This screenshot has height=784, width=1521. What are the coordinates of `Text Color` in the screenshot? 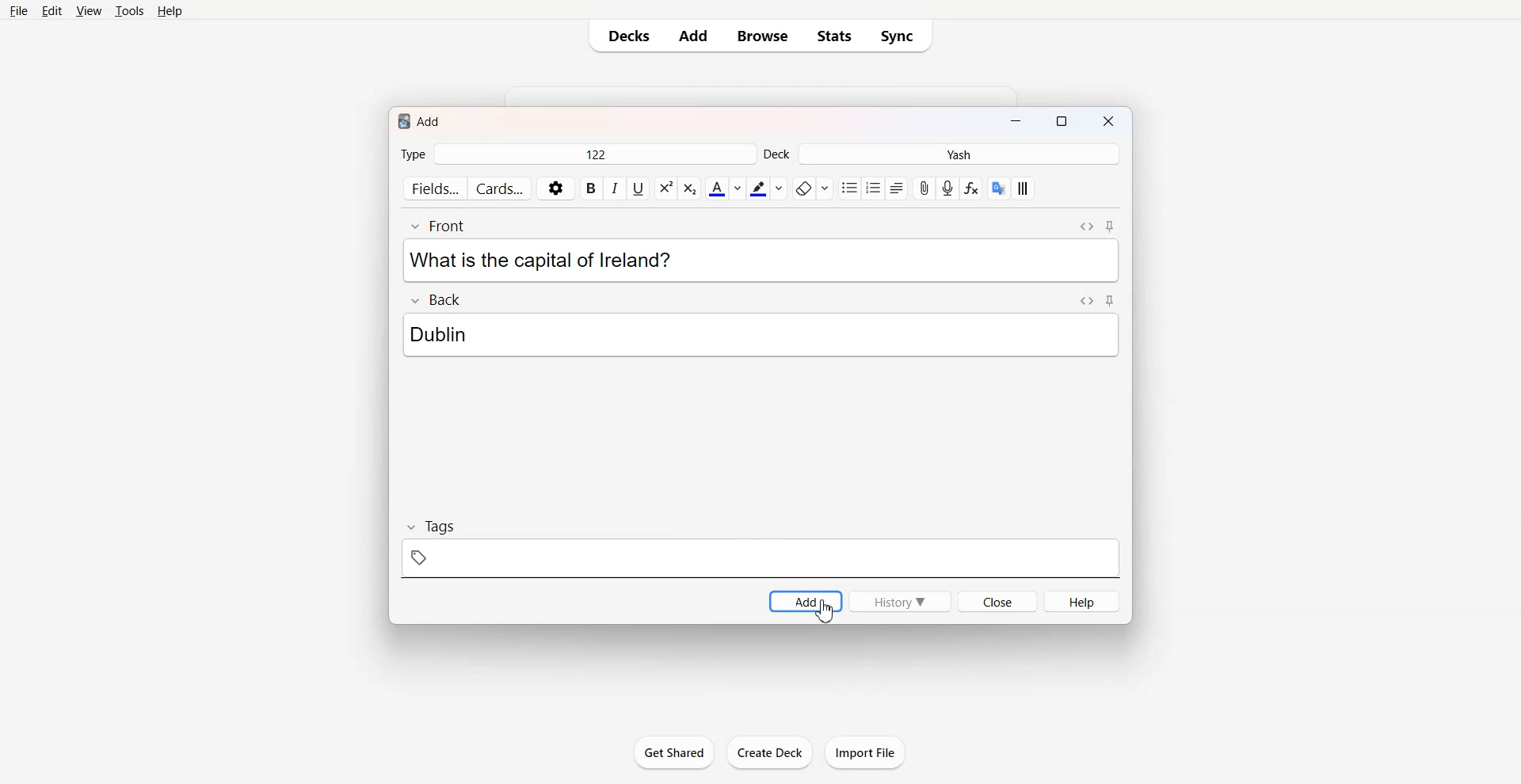 It's located at (725, 188).